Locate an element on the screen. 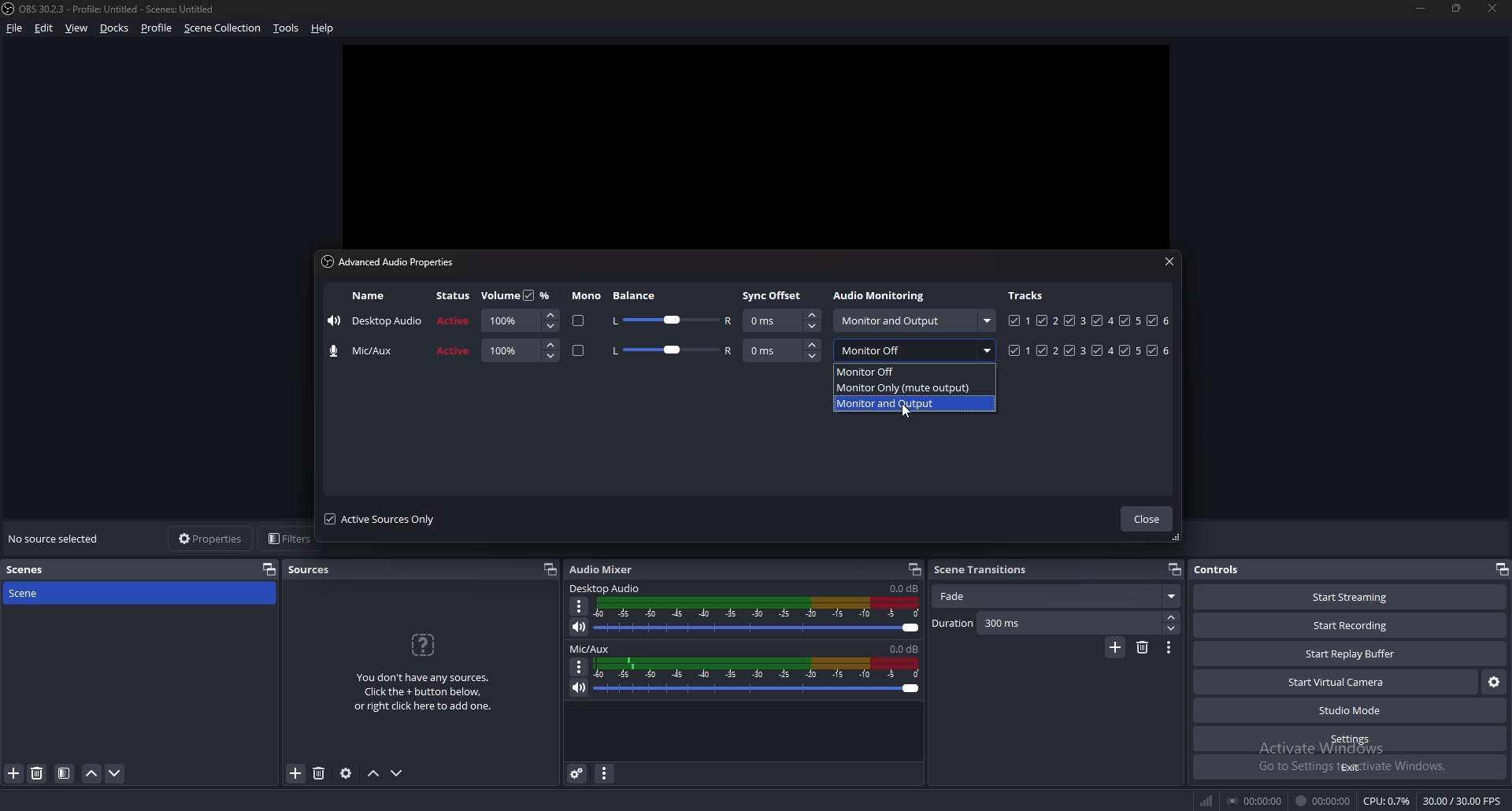  cursor is located at coordinates (908, 413).